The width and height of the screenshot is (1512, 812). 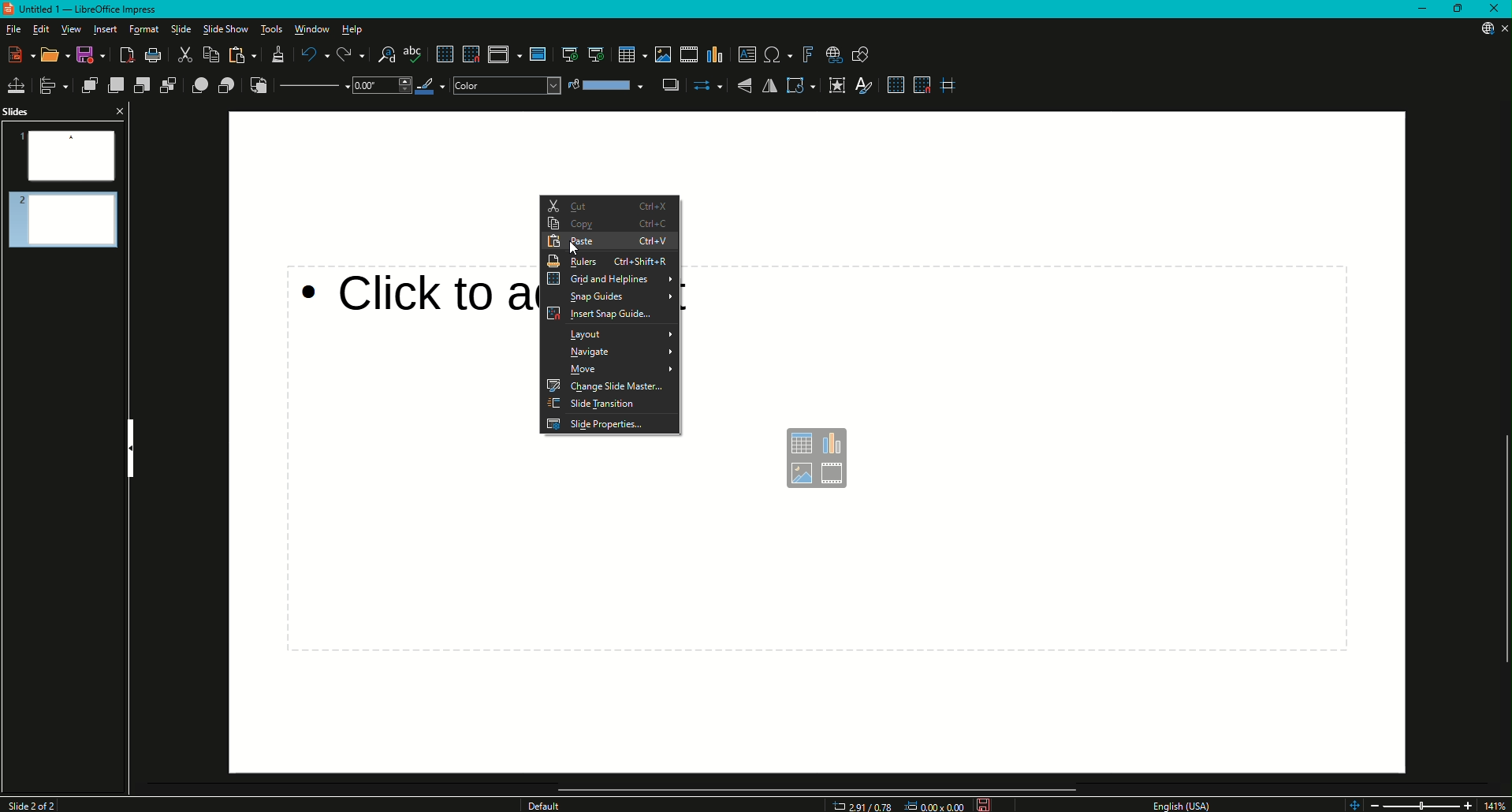 I want to click on Start from Current Slide, so click(x=594, y=53).